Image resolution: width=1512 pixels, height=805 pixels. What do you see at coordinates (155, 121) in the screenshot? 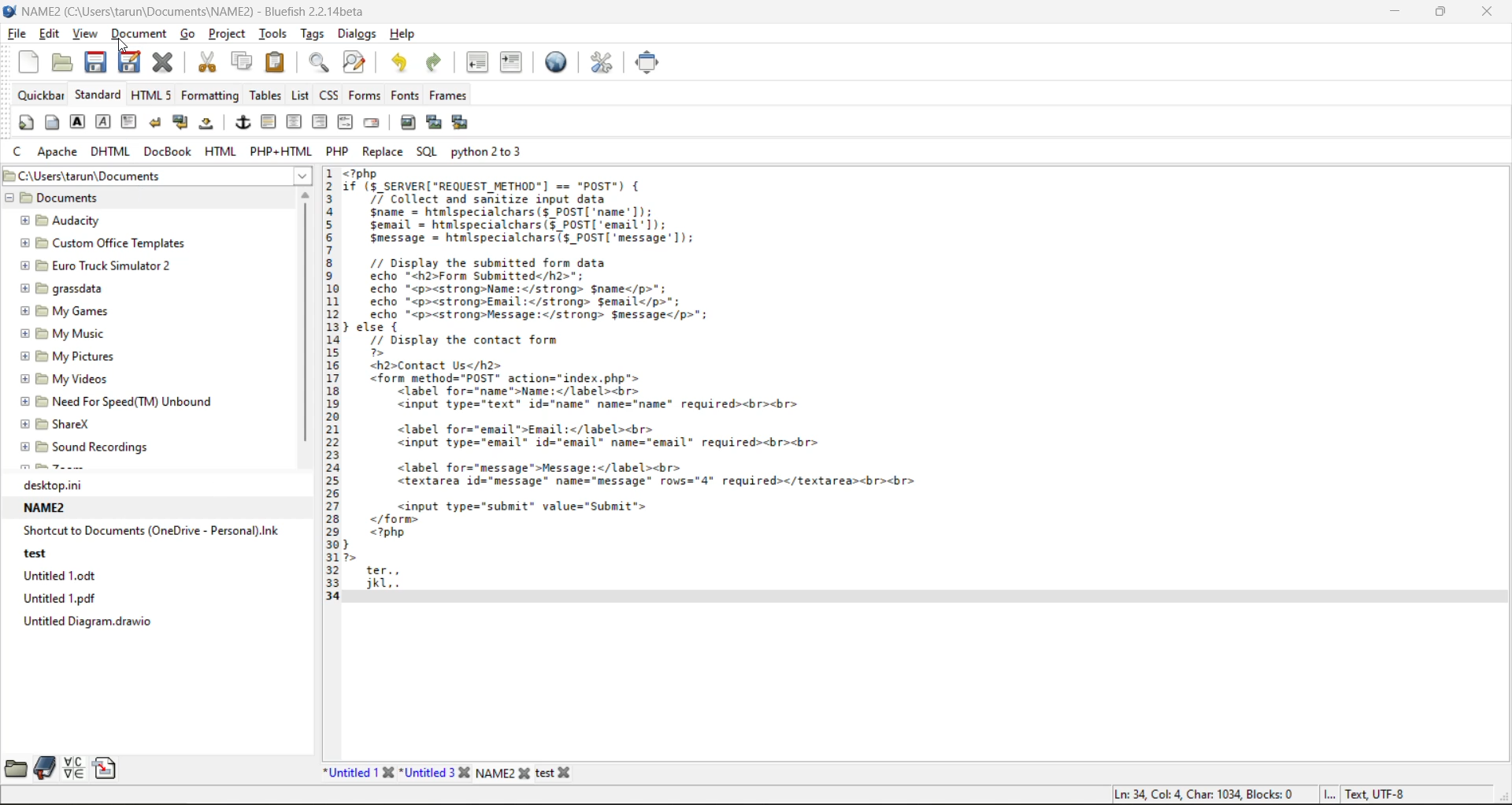
I see `break` at bounding box center [155, 121].